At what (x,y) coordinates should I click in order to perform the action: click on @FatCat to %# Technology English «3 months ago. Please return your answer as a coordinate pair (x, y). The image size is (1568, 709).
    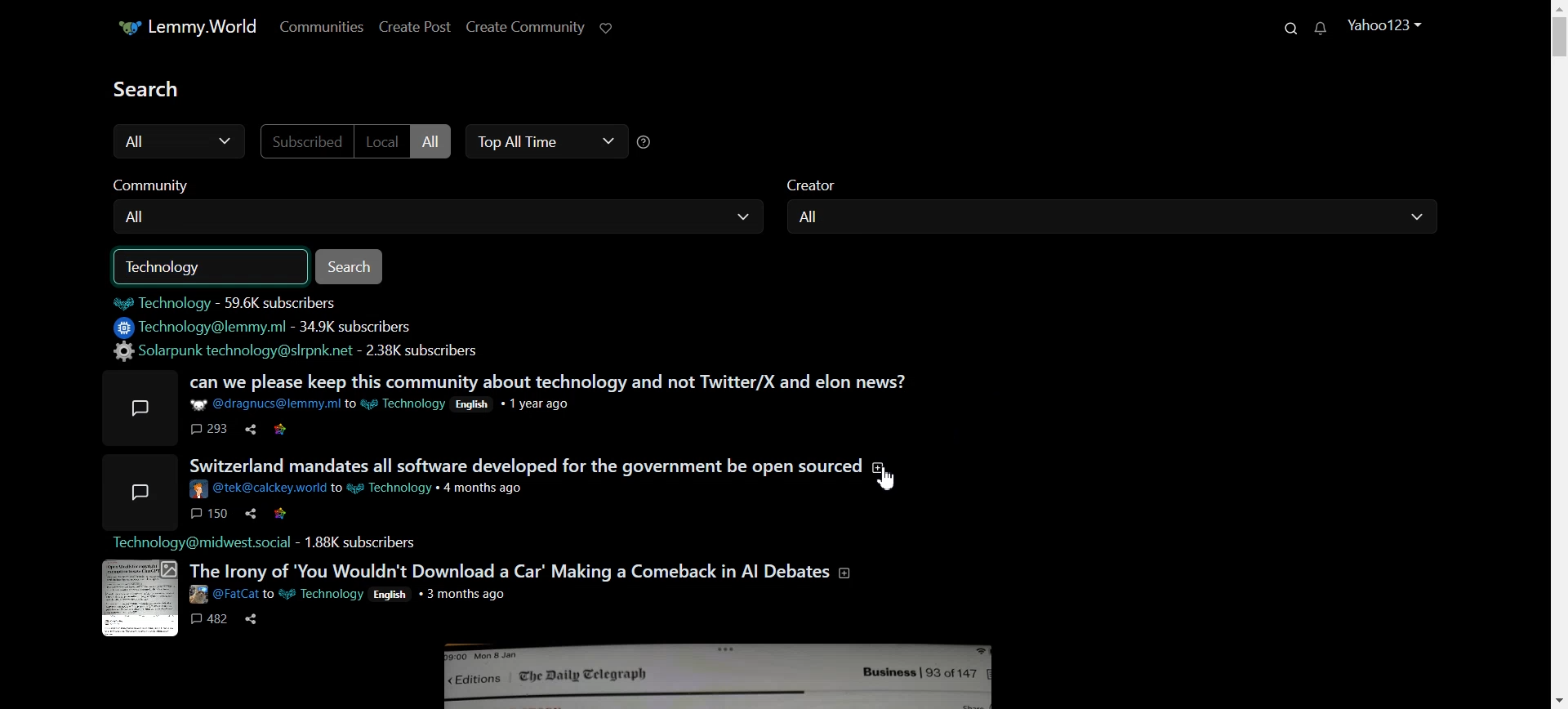
    Looking at the image, I should click on (356, 594).